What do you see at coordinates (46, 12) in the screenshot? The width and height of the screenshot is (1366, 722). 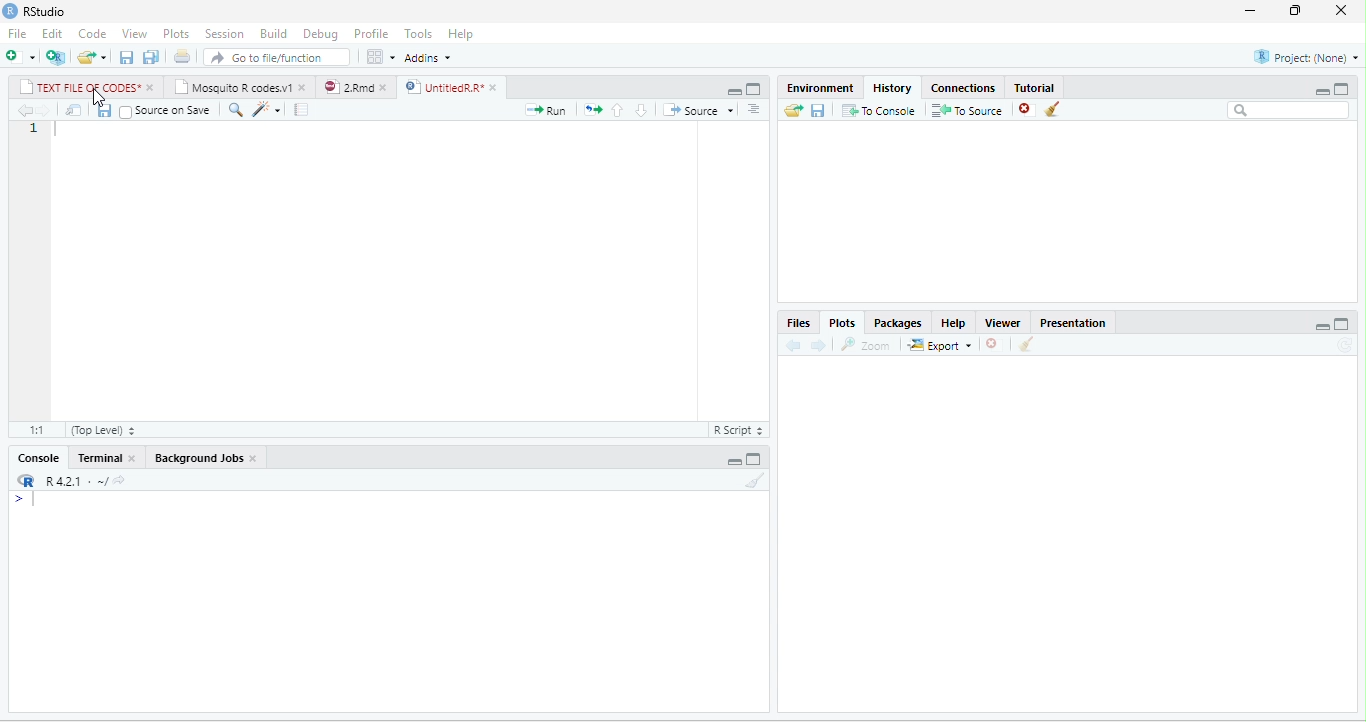 I see `RStudio` at bounding box center [46, 12].